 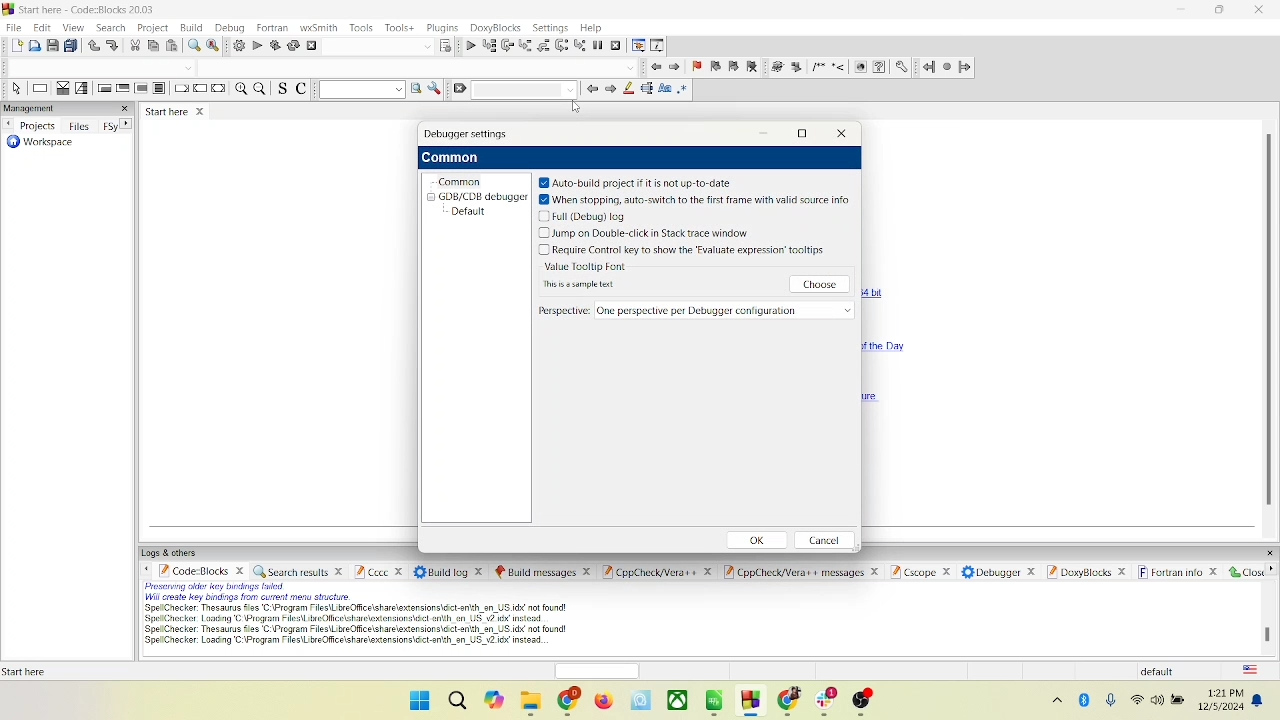 What do you see at coordinates (34, 124) in the screenshot?
I see `projects` at bounding box center [34, 124].